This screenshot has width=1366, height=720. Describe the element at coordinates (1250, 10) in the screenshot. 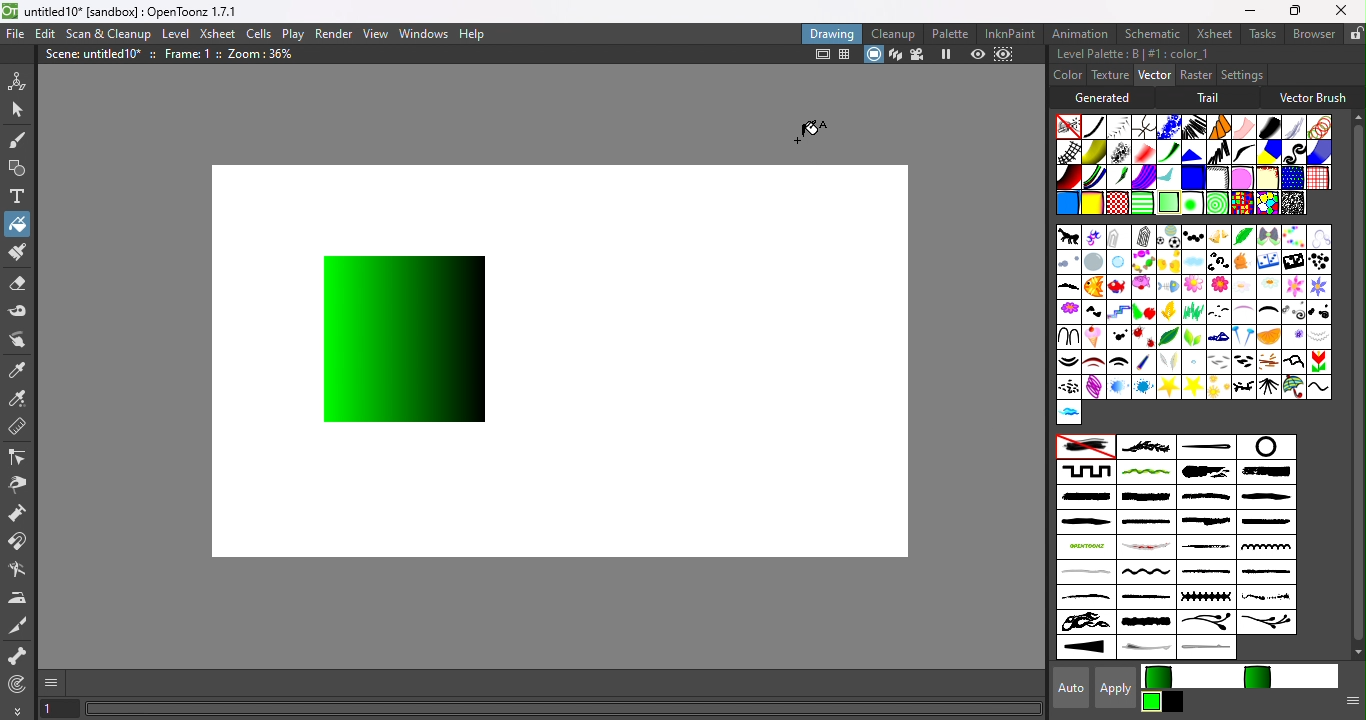

I see `Minimize` at that location.